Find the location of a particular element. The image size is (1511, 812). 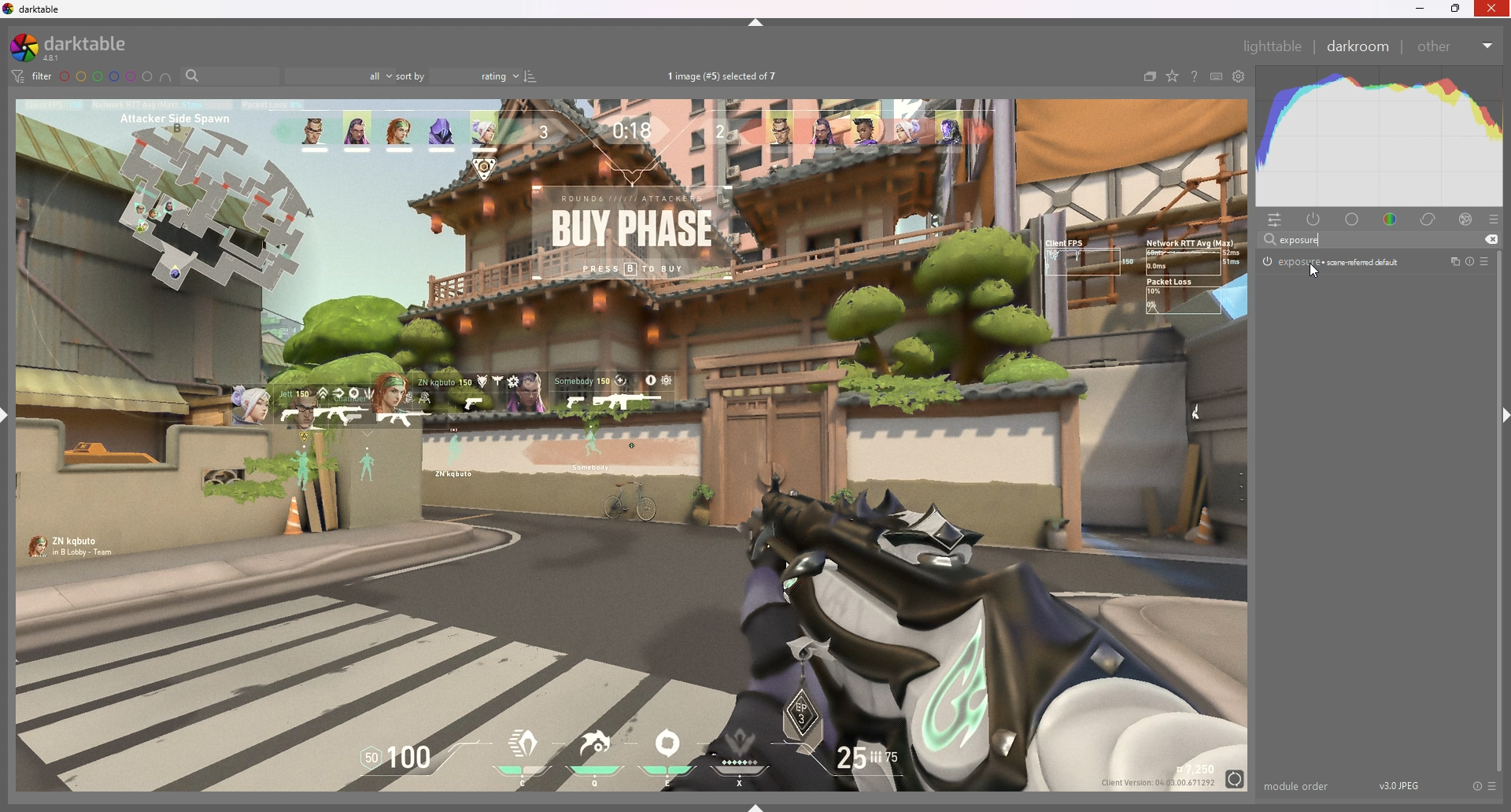

show is located at coordinates (756, 806).